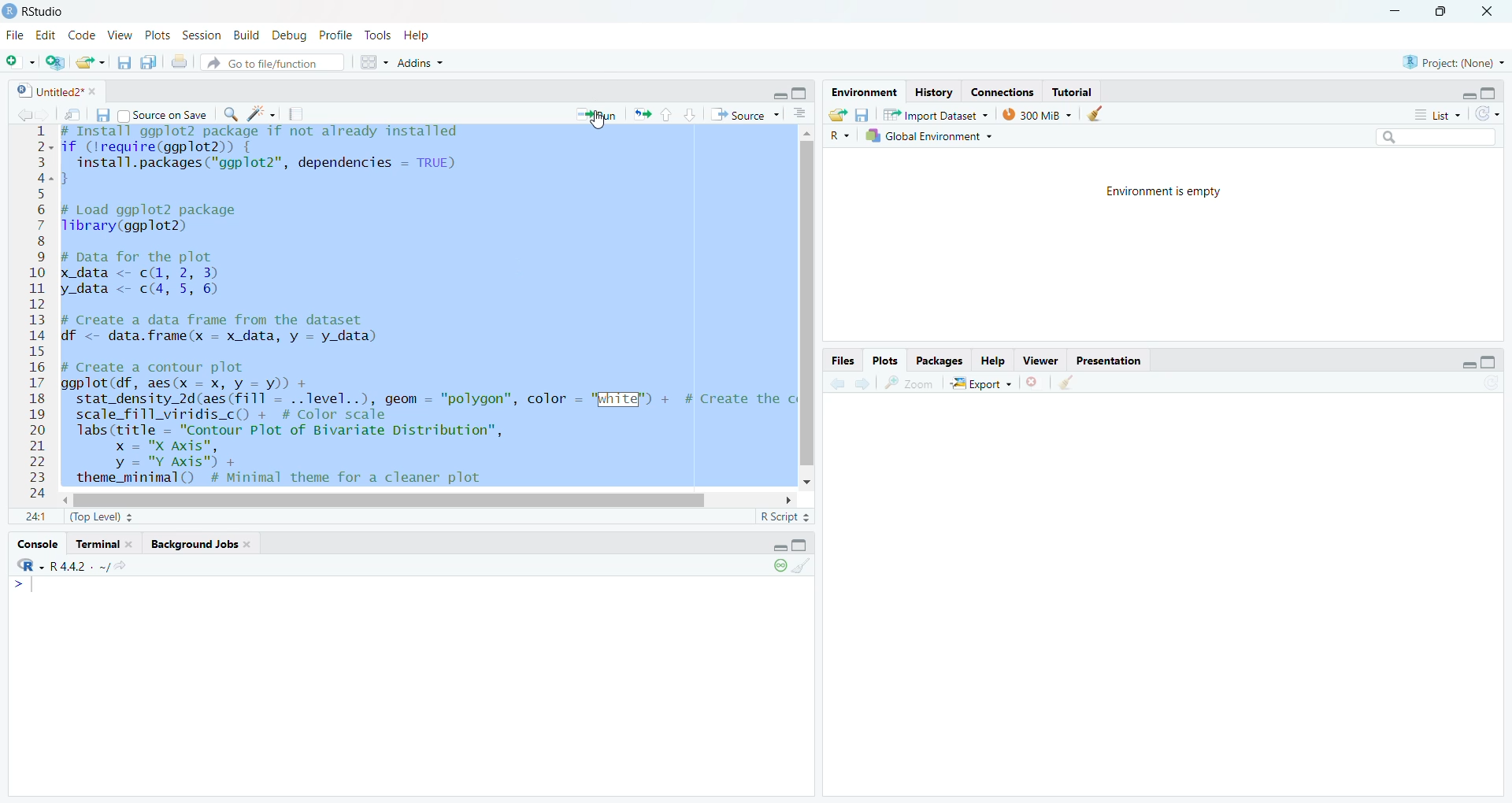 The image size is (1512, 803). I want to click on r 4.4.2, so click(79, 564).